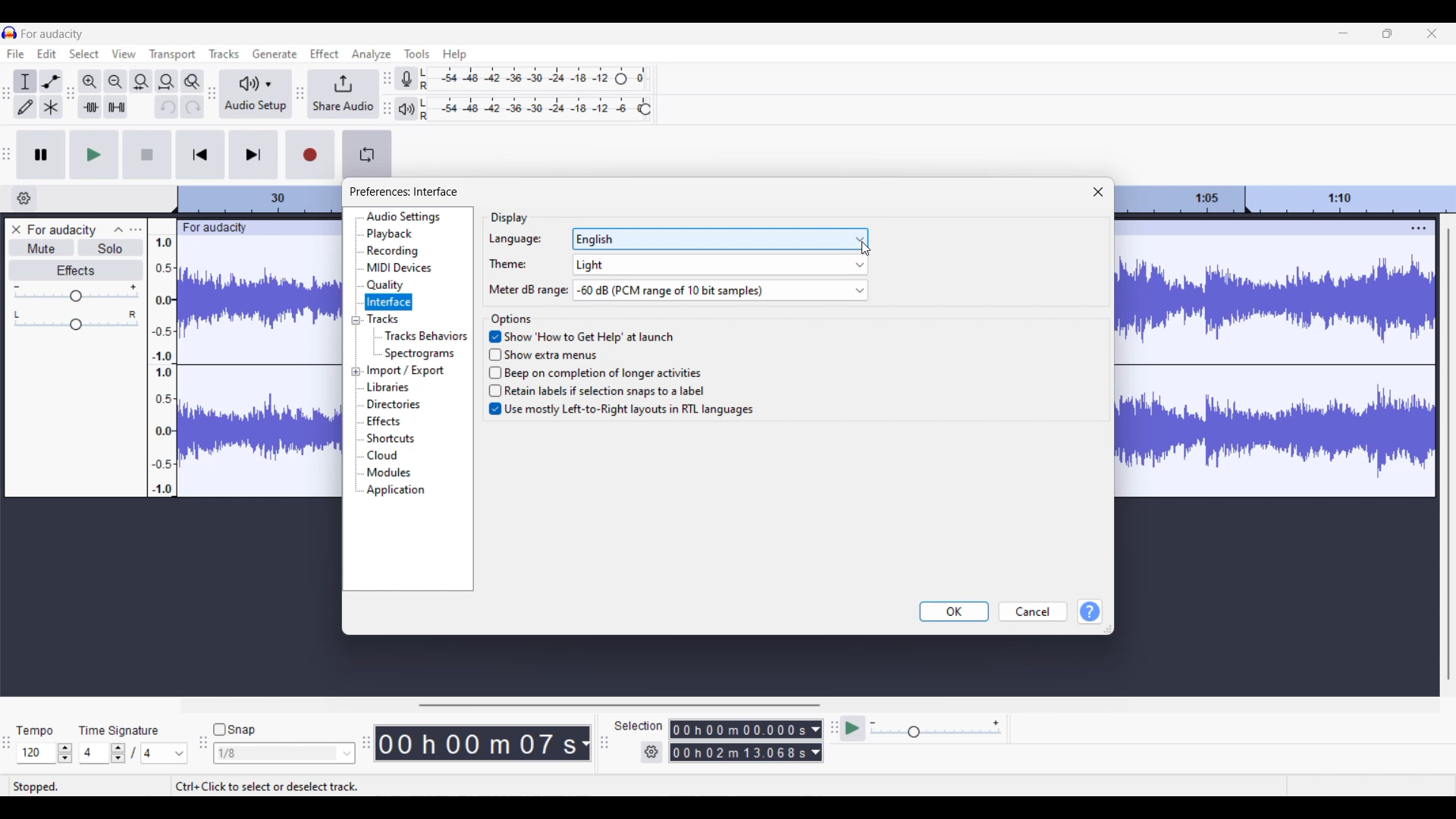 The image size is (1456, 819). What do you see at coordinates (1420, 227) in the screenshot?
I see `Track settings` at bounding box center [1420, 227].